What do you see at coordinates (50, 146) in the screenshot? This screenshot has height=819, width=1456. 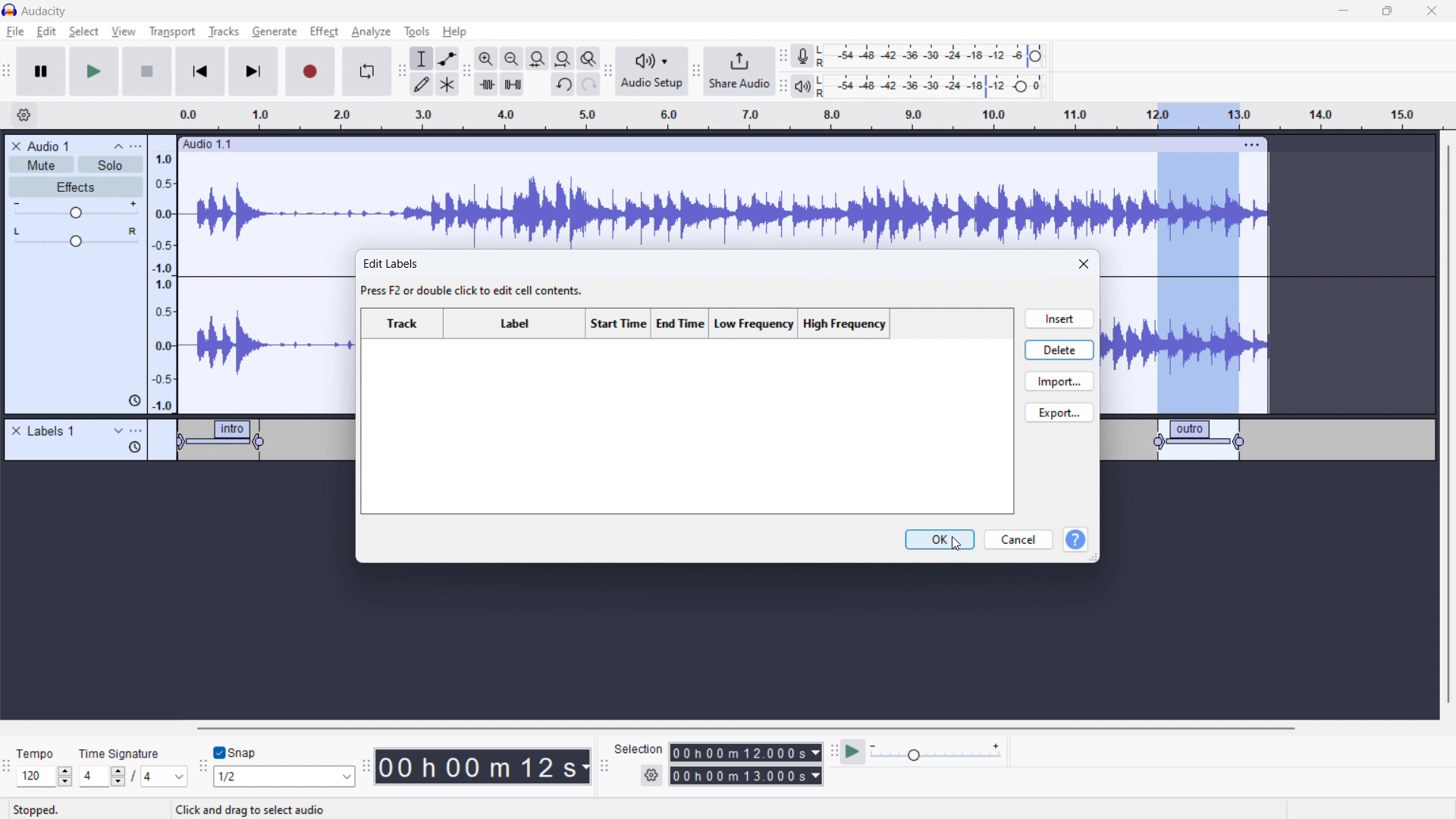 I see `track title` at bounding box center [50, 146].